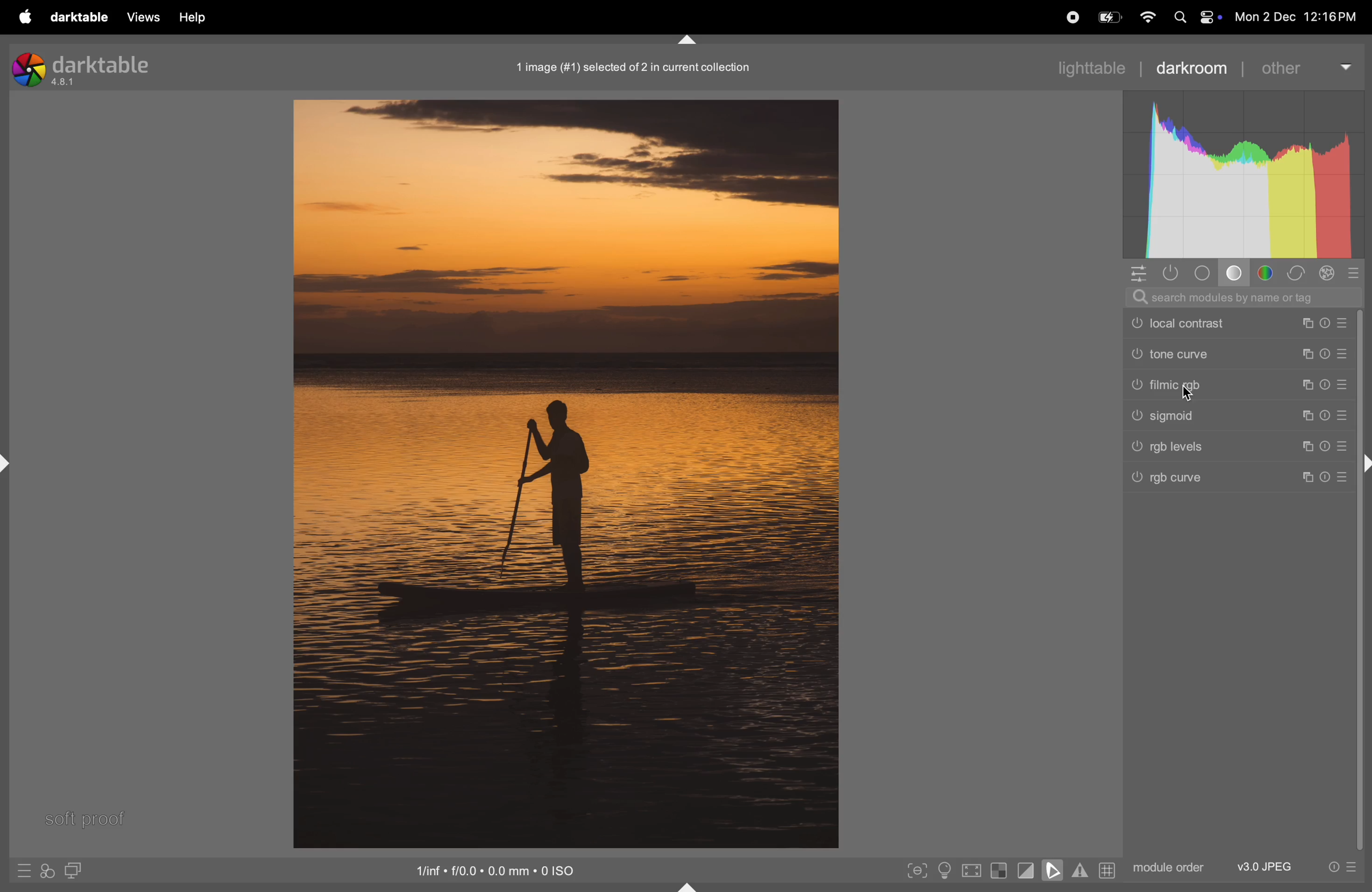 The image size is (1372, 892). Describe the element at coordinates (1238, 480) in the screenshot. I see `rgb curve` at that location.